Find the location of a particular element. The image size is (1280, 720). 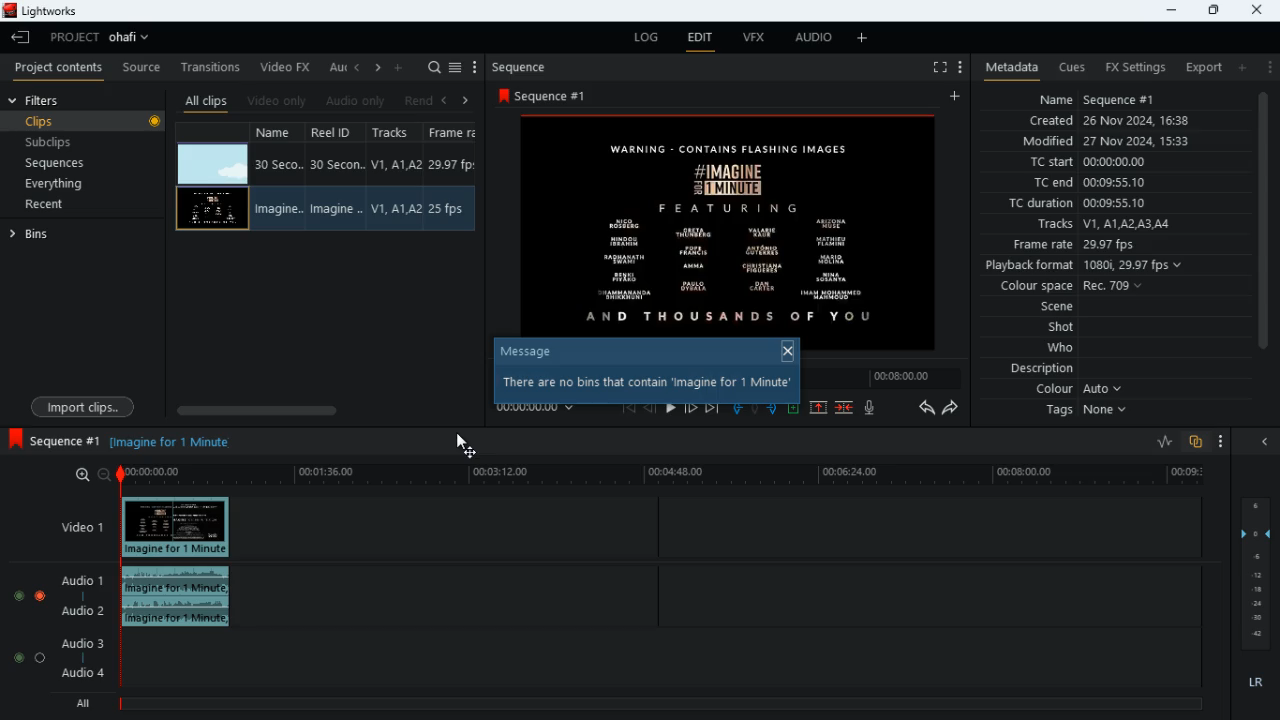

shot is located at coordinates (1061, 328).